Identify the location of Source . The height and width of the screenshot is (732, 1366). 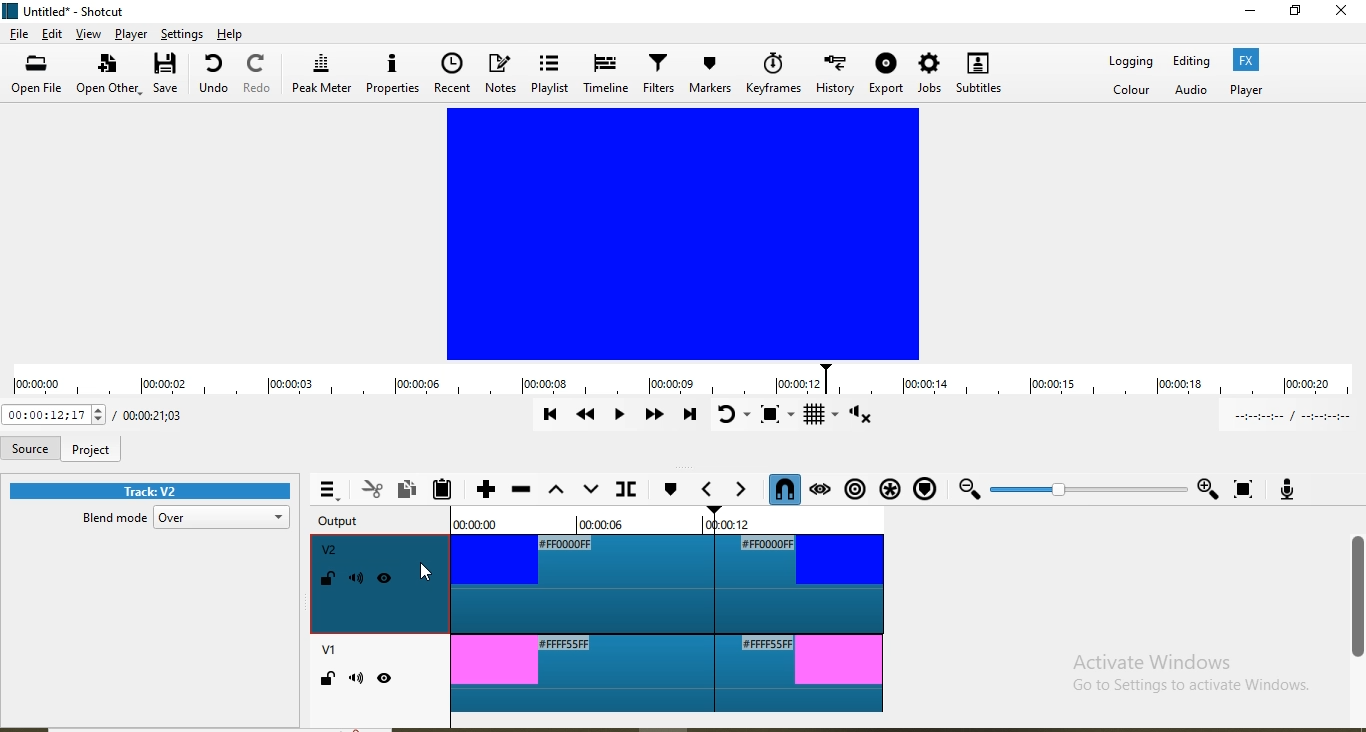
(29, 449).